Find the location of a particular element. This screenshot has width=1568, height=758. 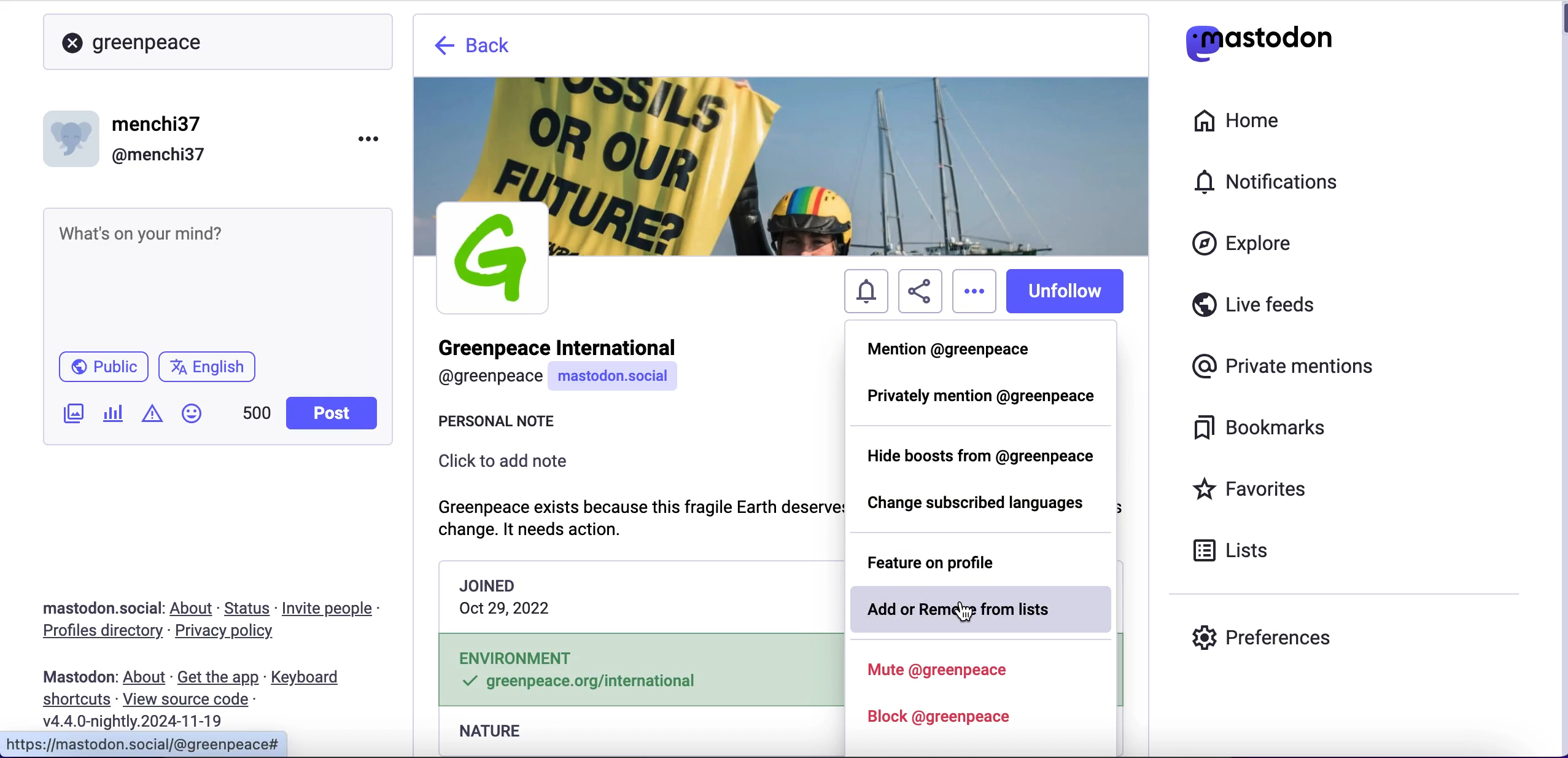

view source code is located at coordinates (190, 700).